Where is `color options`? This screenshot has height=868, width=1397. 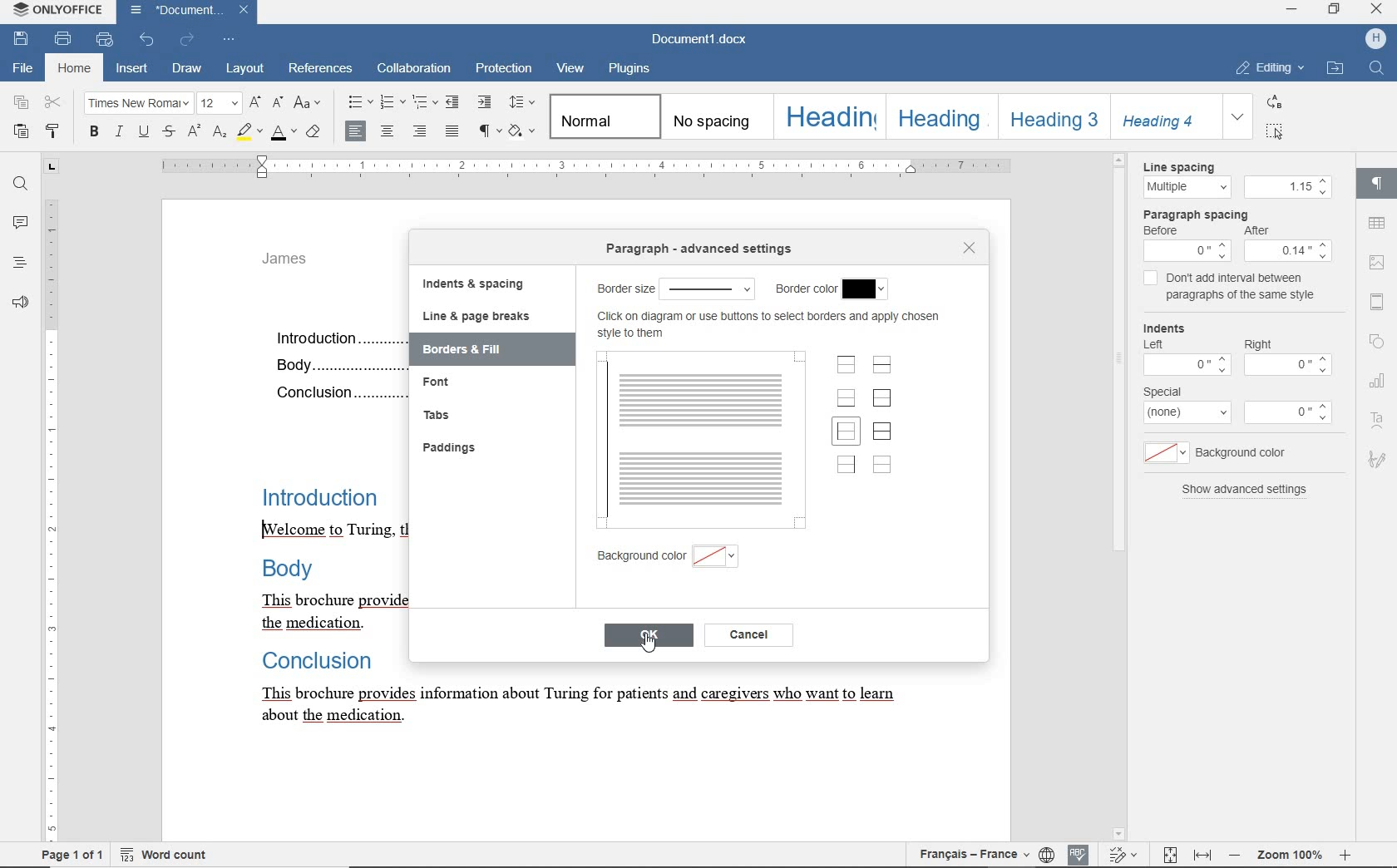 color options is located at coordinates (866, 287).